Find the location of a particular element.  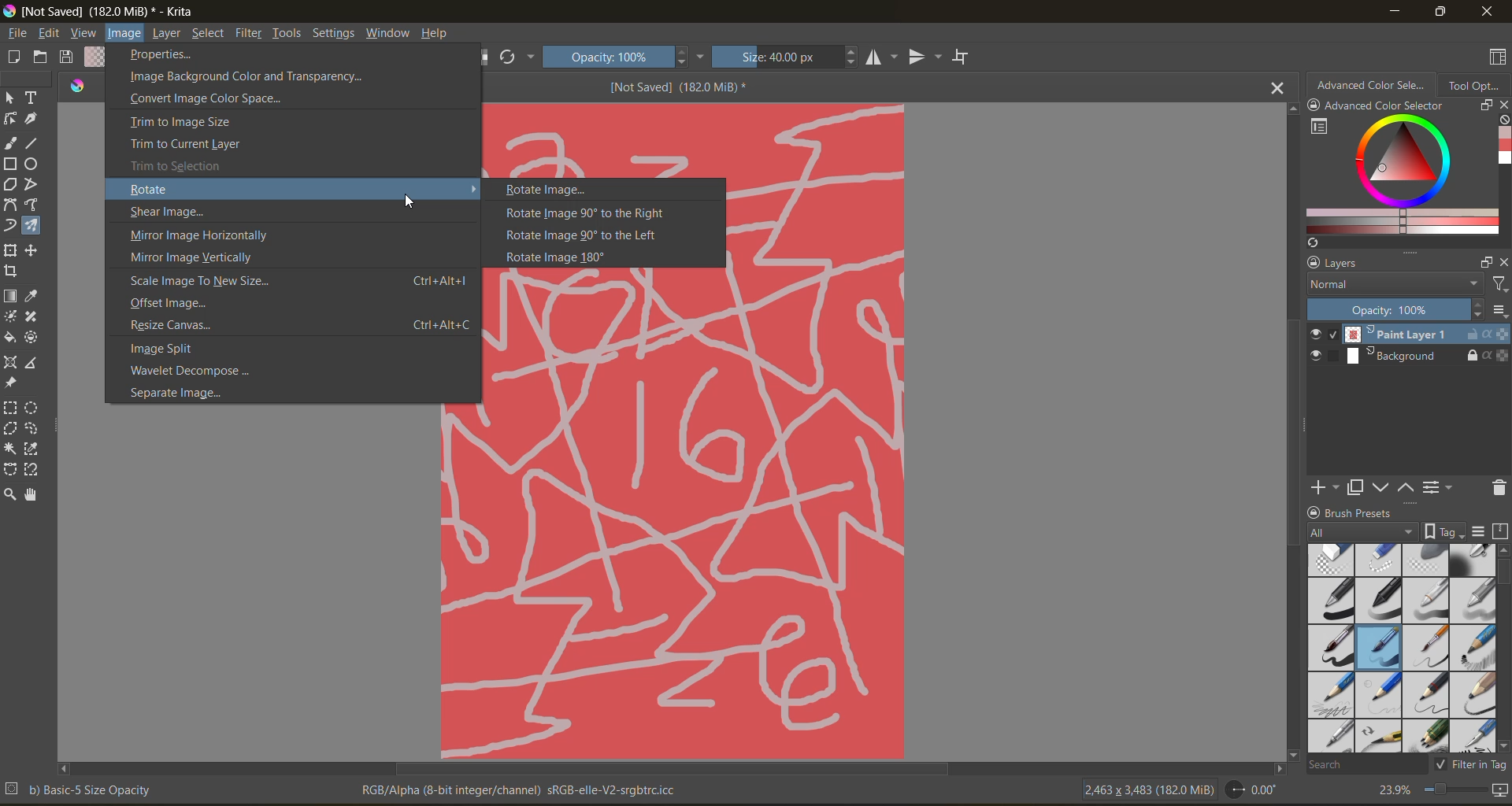

map the canvas is located at coordinates (1499, 790).